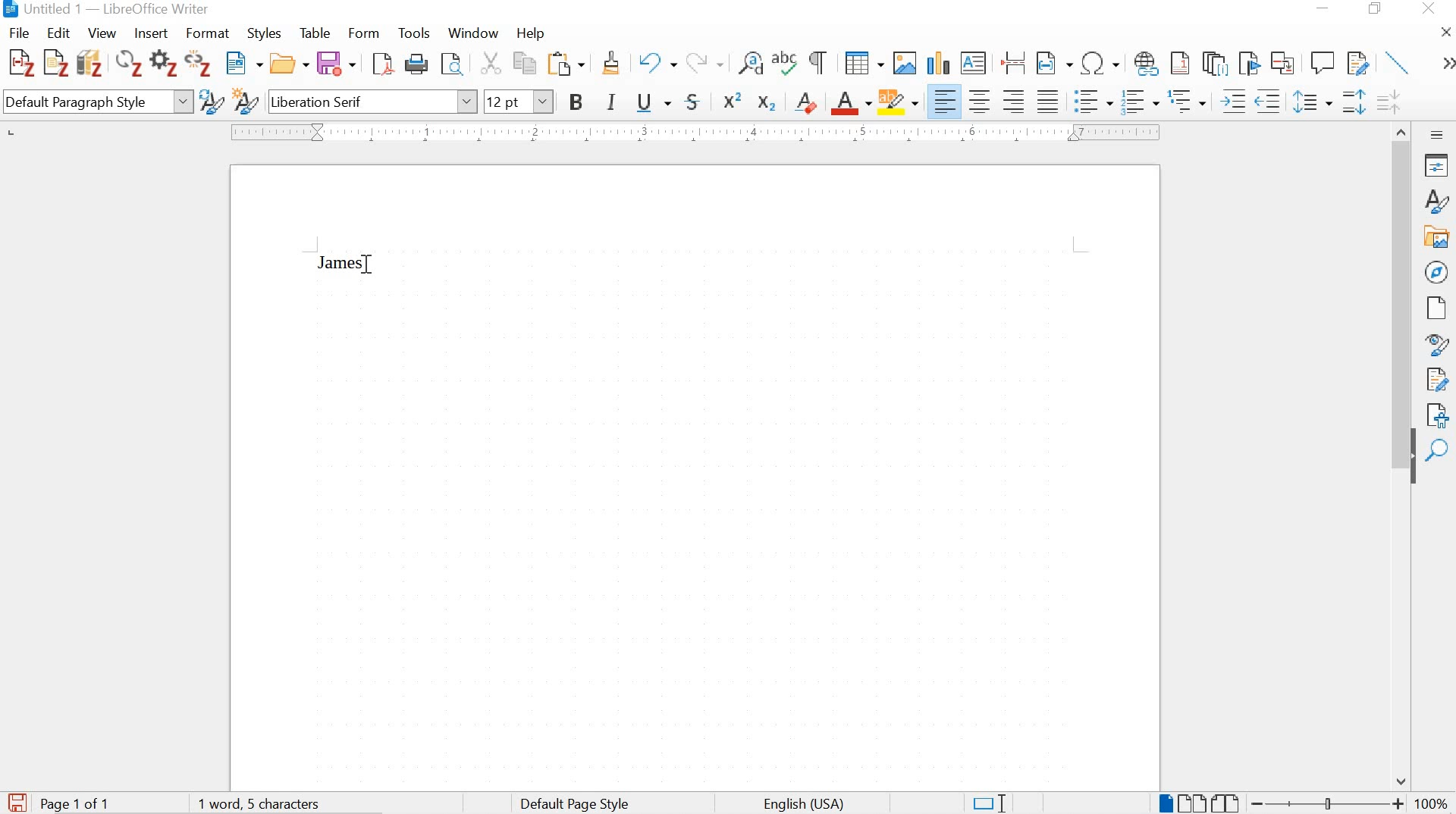 The height and width of the screenshot is (814, 1456). I want to click on view, so click(101, 33).